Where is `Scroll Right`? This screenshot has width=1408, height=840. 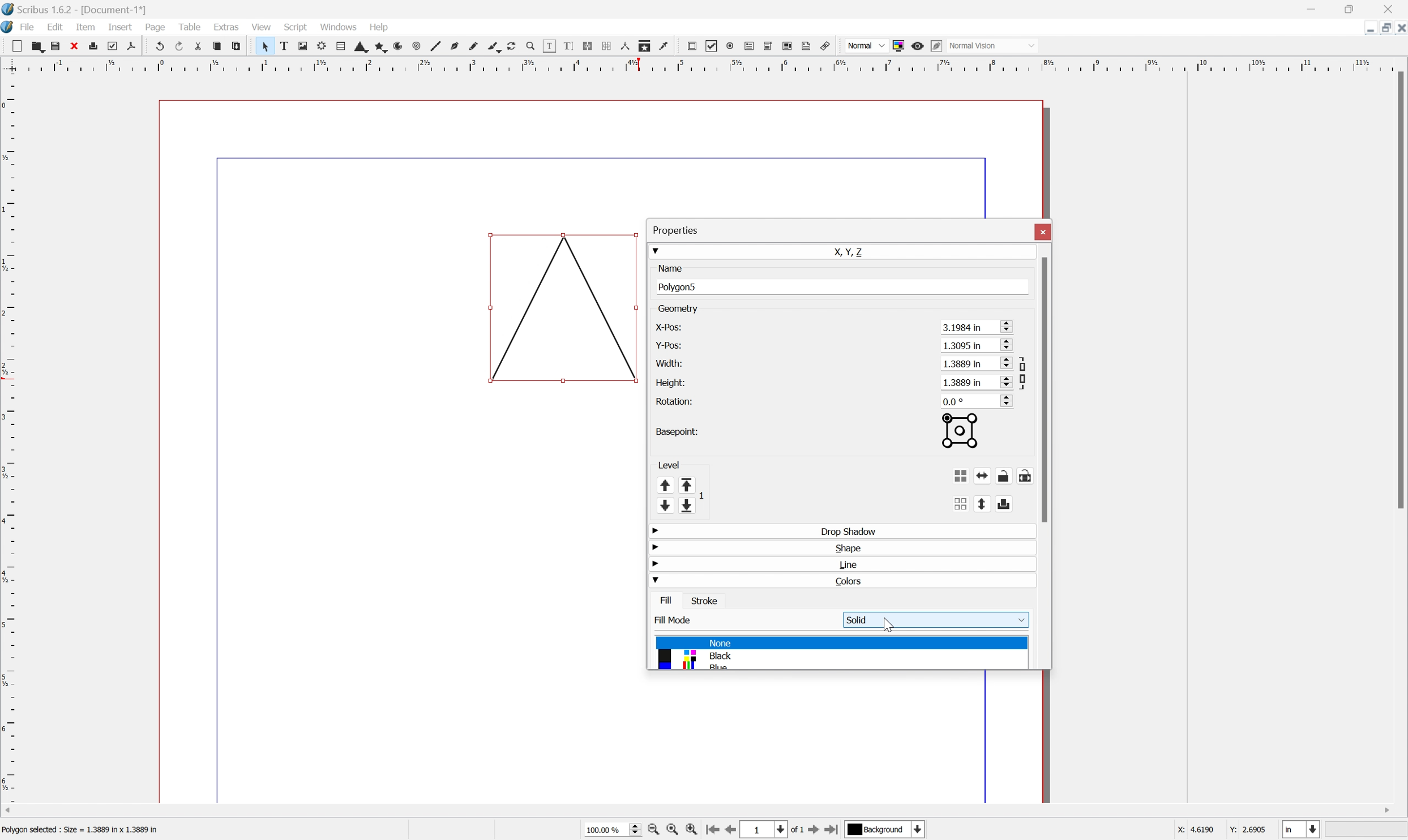
Scroll Right is located at coordinates (1384, 811).